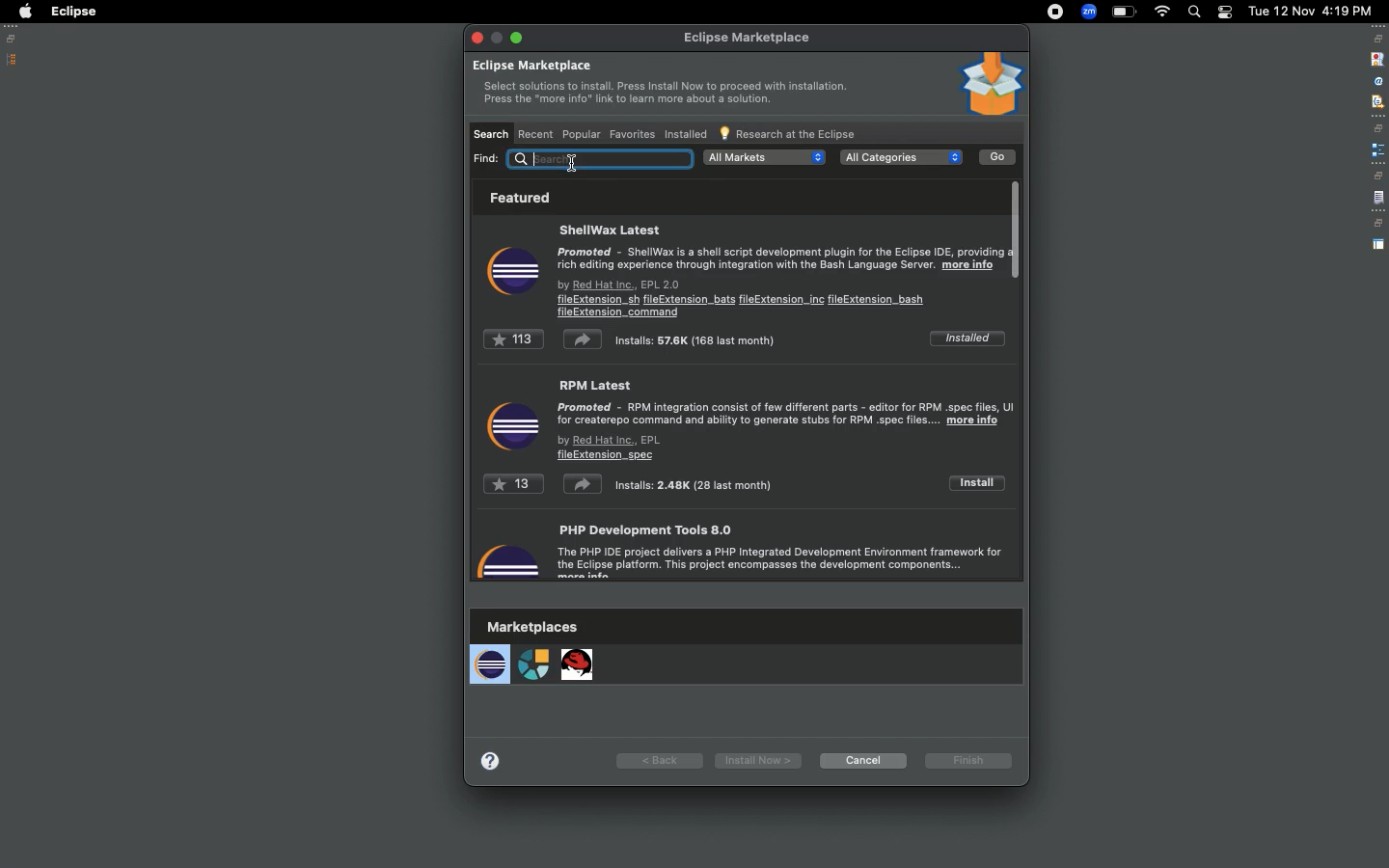 The height and width of the screenshot is (868, 1389). What do you see at coordinates (513, 274) in the screenshot?
I see `Icon` at bounding box center [513, 274].